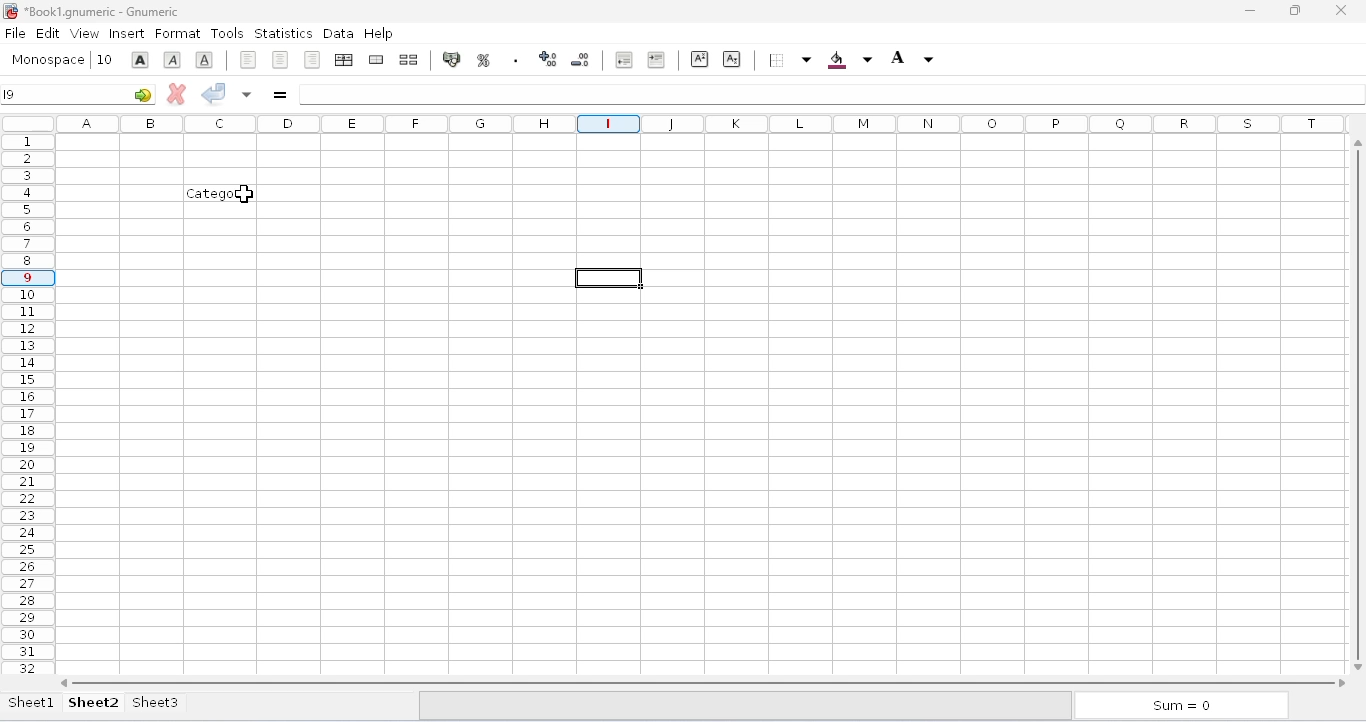  What do you see at coordinates (47, 60) in the screenshot?
I see `font` at bounding box center [47, 60].